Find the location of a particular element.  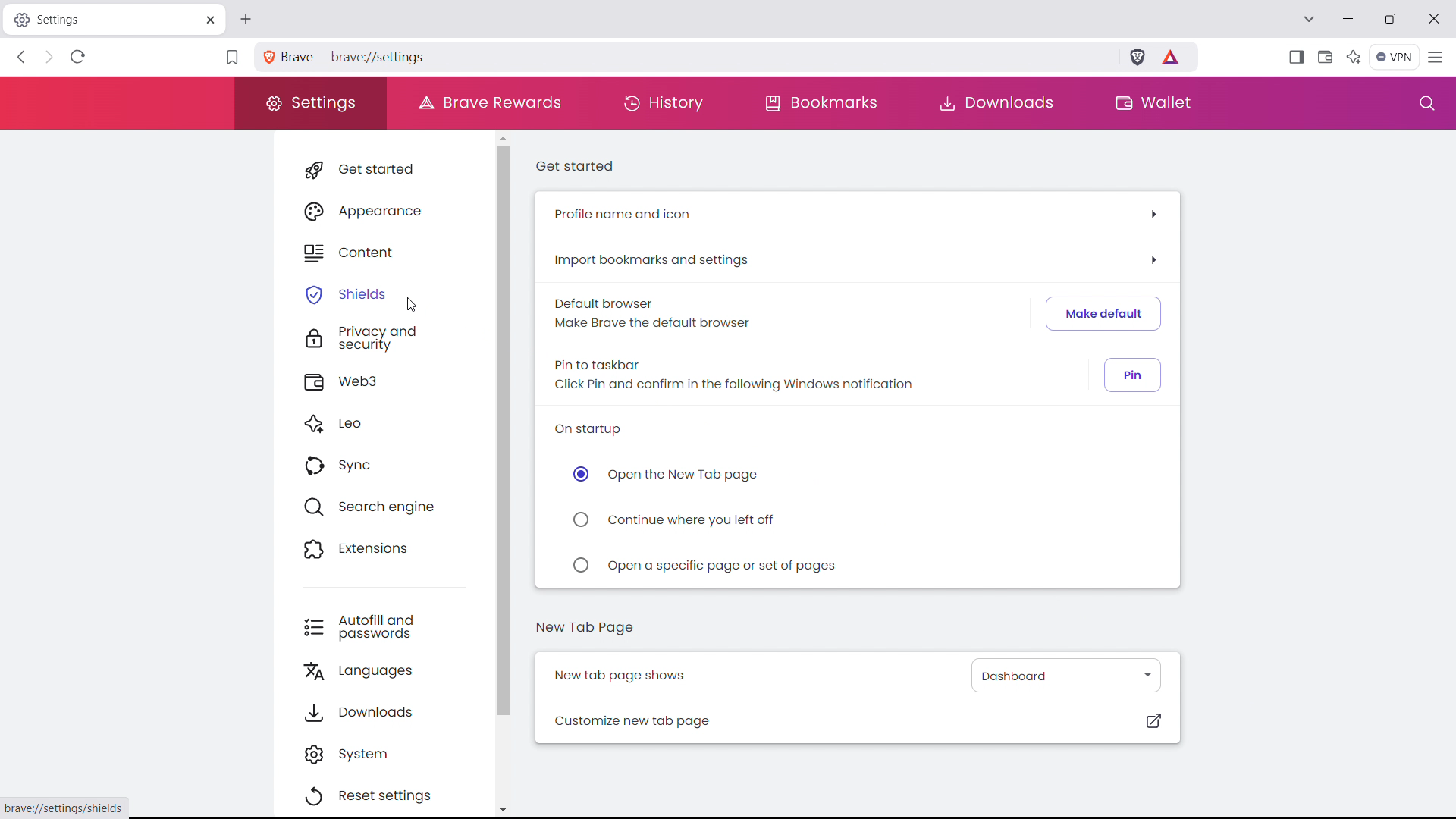

downloads is located at coordinates (999, 104).